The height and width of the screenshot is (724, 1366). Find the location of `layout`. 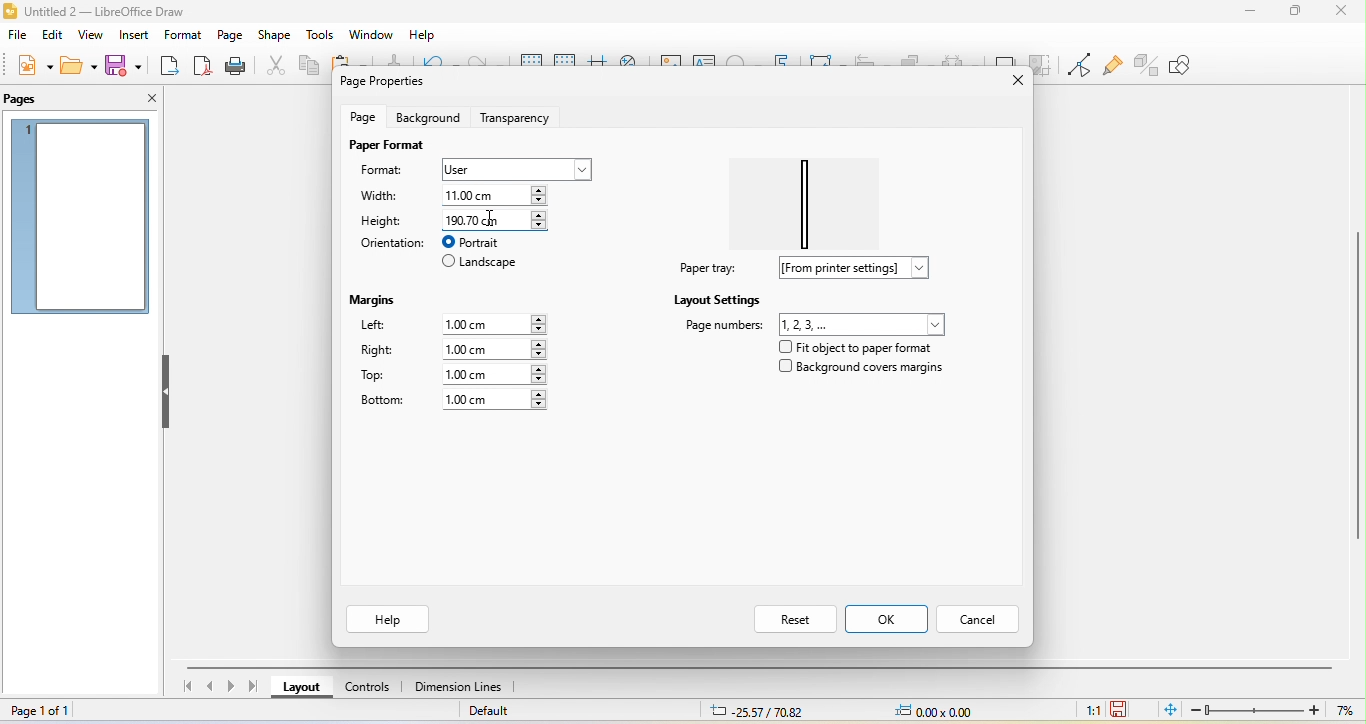

layout is located at coordinates (303, 690).